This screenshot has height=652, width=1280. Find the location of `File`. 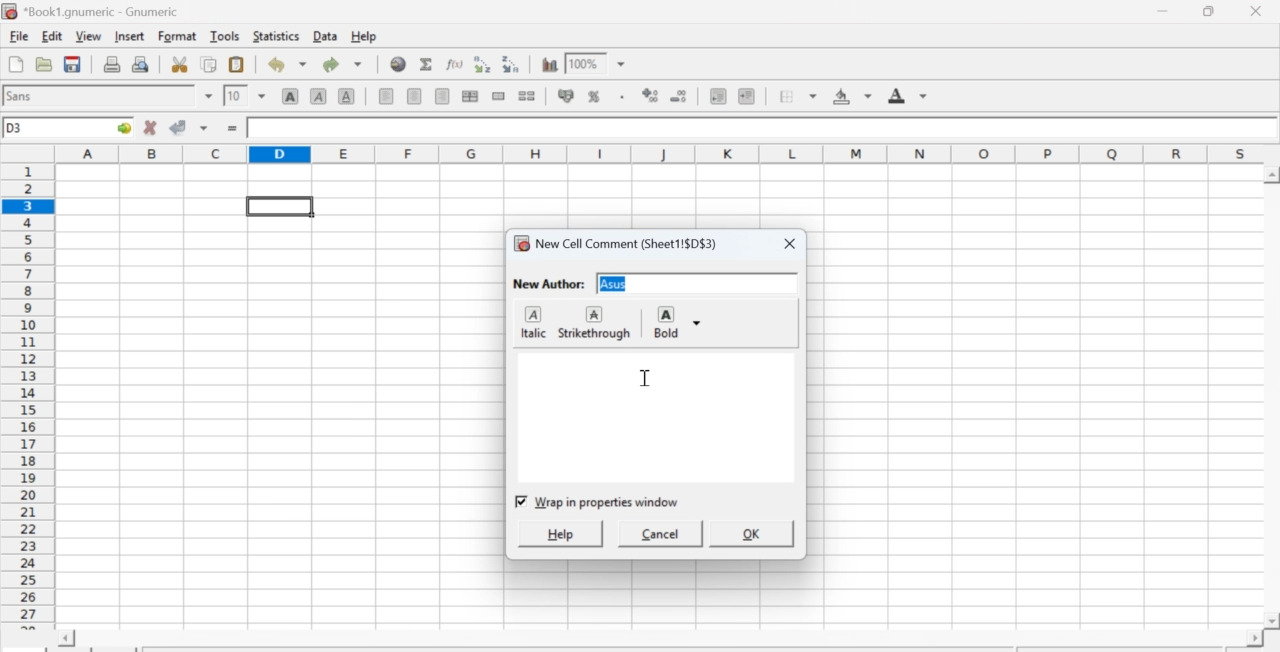

File is located at coordinates (18, 37).